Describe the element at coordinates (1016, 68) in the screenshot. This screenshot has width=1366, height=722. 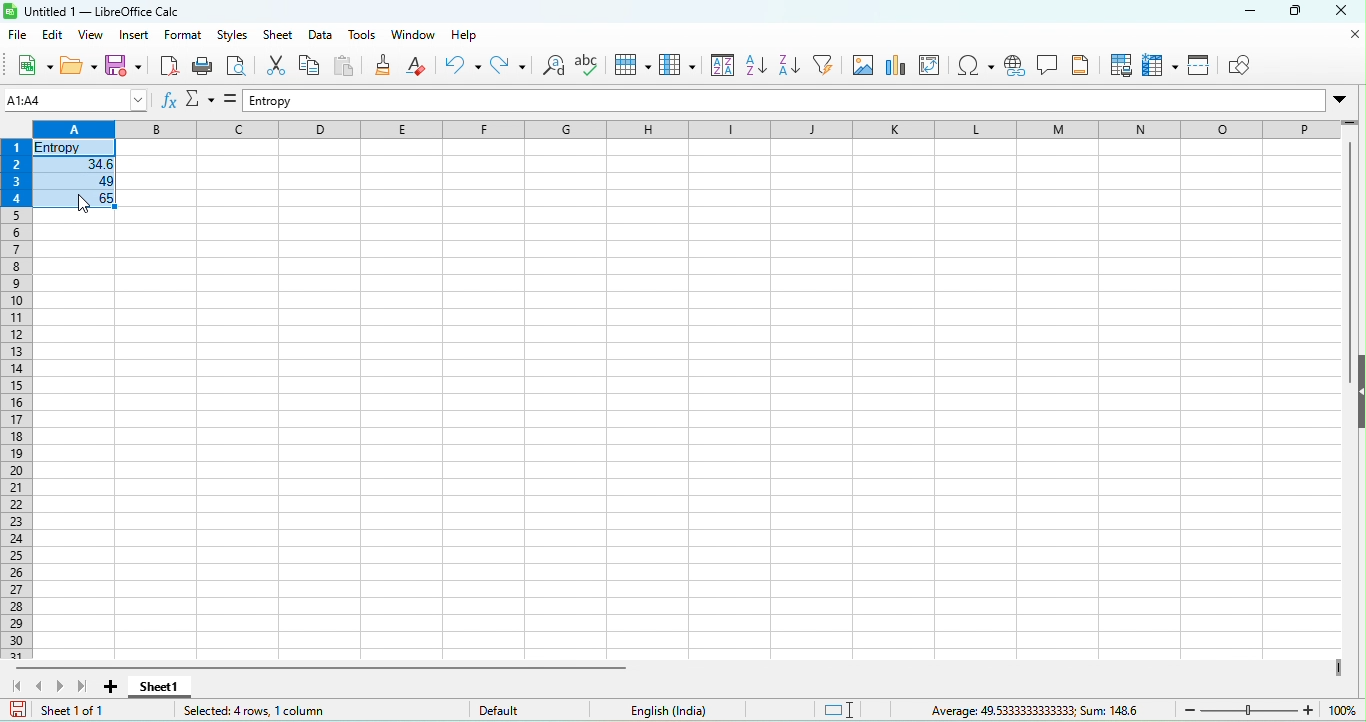
I see `hyperlink` at that location.